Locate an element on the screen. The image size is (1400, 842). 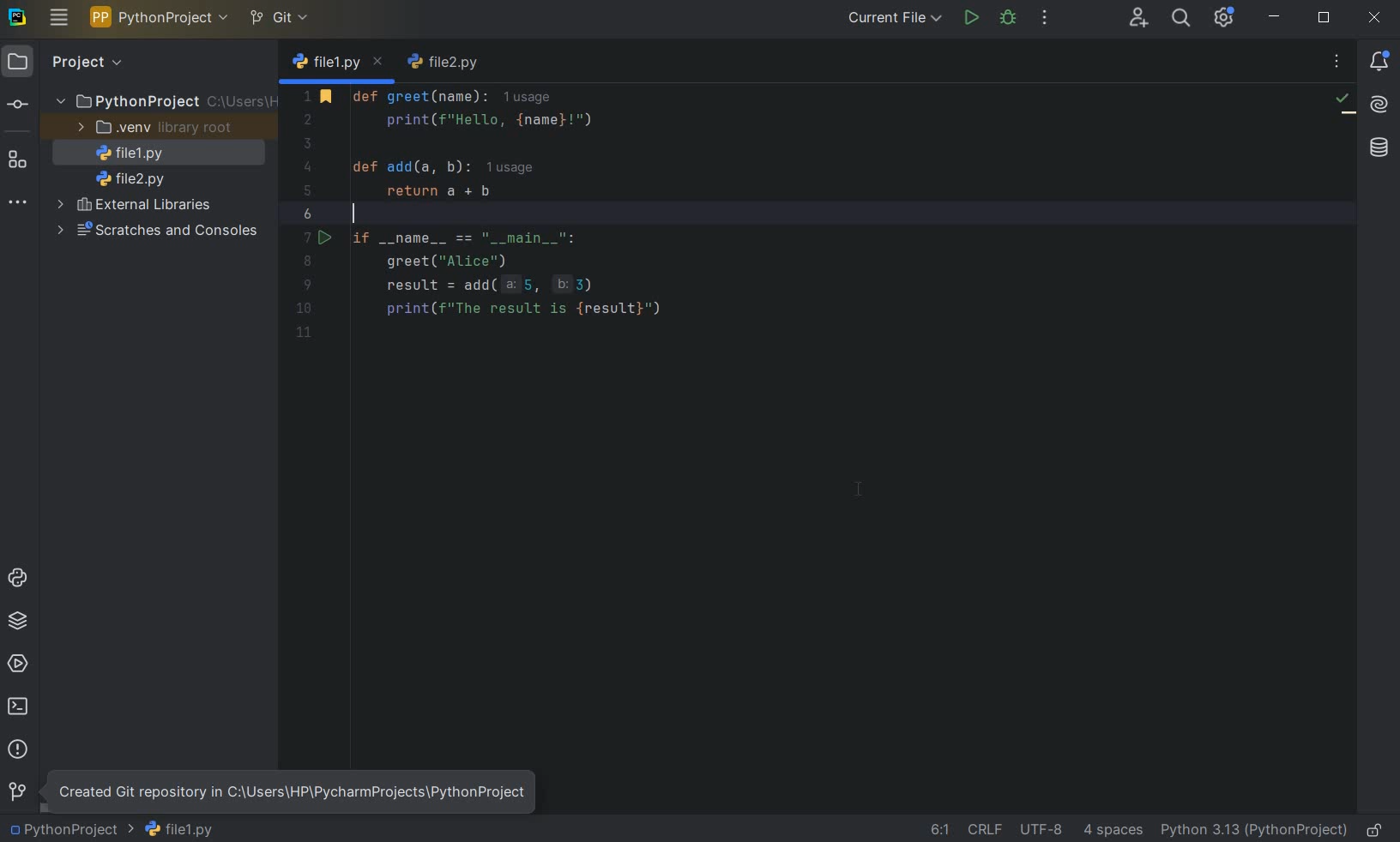
debug is located at coordinates (1009, 19).